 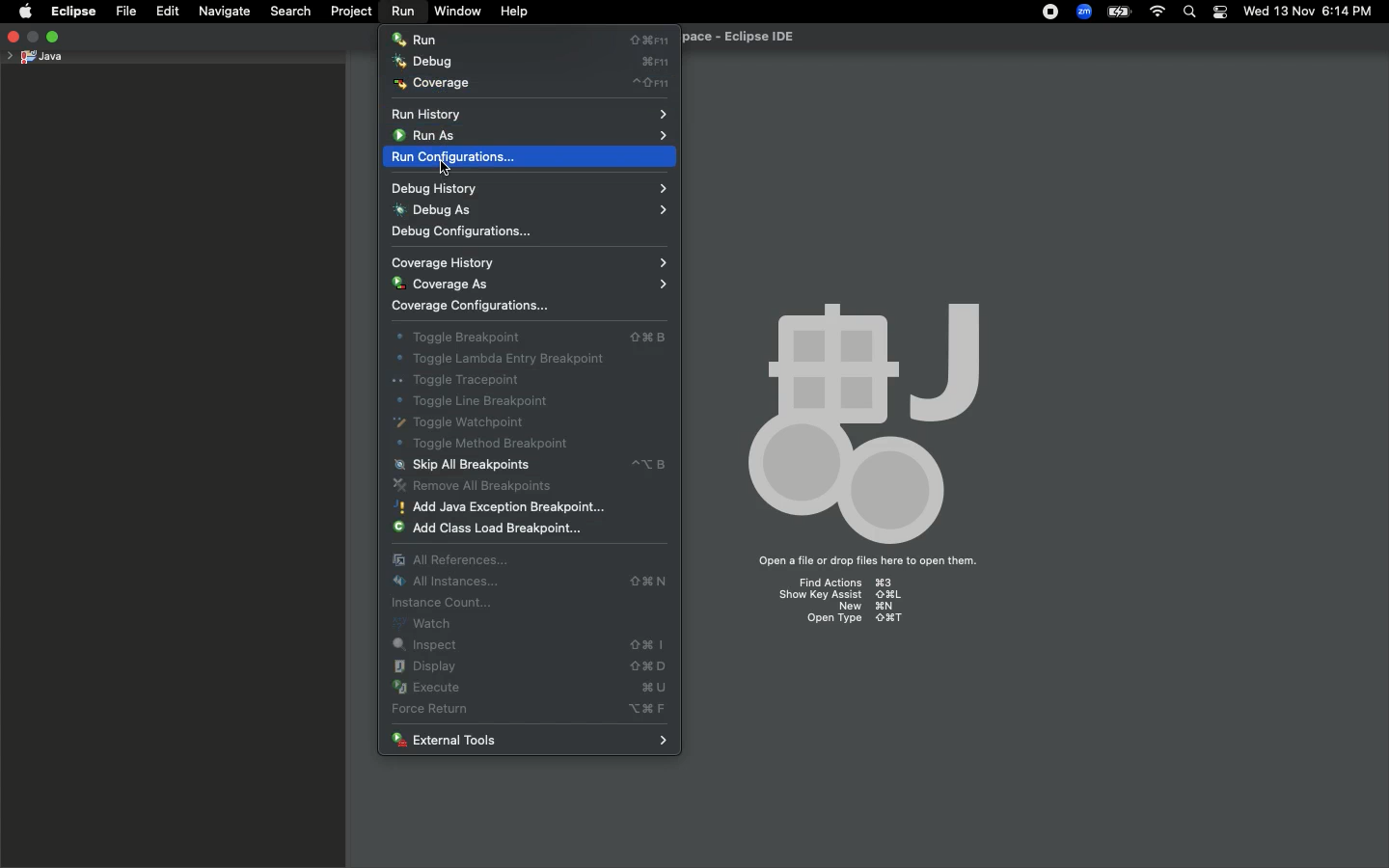 I want to click on Toggle lambda entry breakpoint, so click(x=498, y=360).